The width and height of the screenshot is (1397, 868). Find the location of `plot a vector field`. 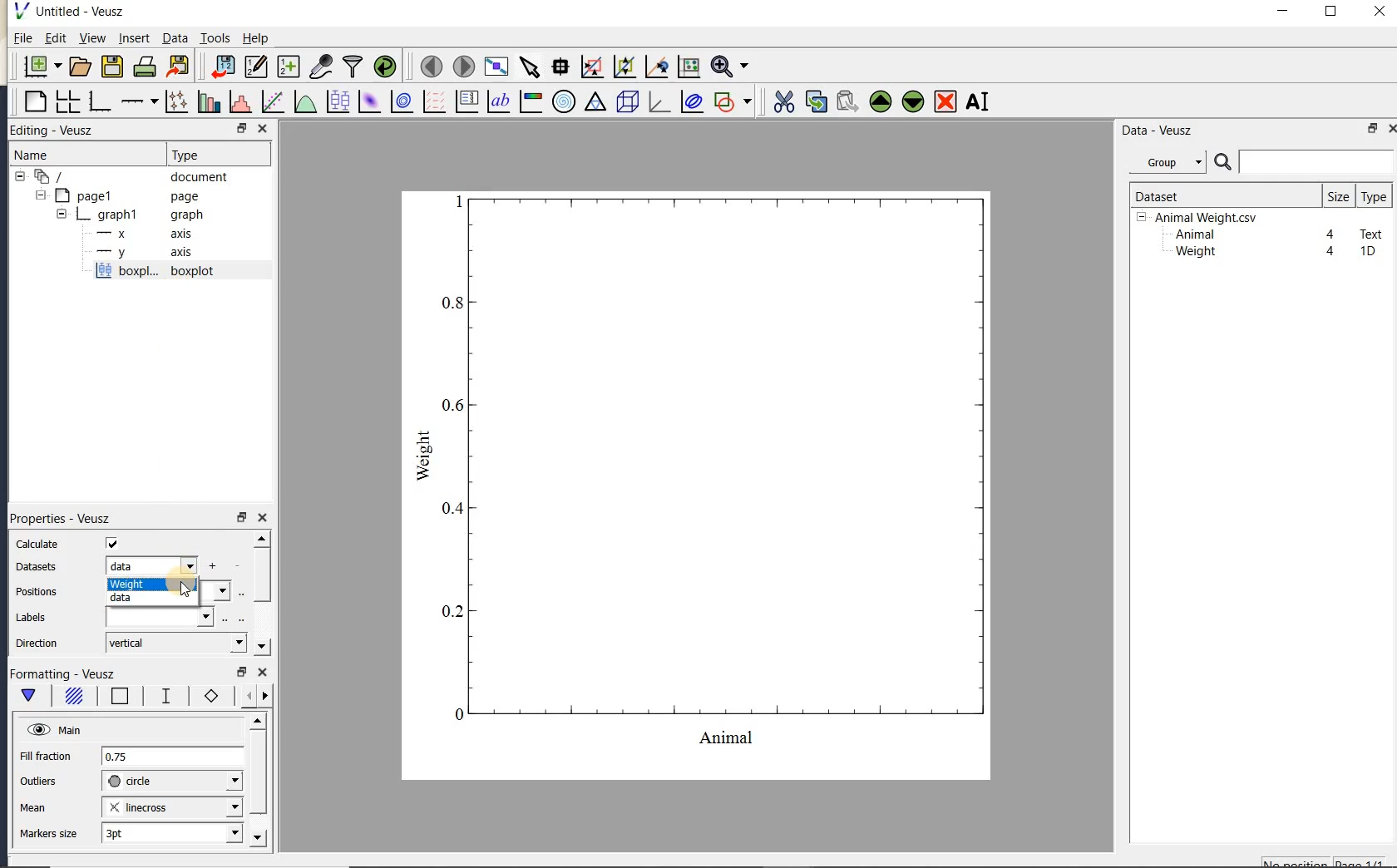

plot a vector field is located at coordinates (432, 102).